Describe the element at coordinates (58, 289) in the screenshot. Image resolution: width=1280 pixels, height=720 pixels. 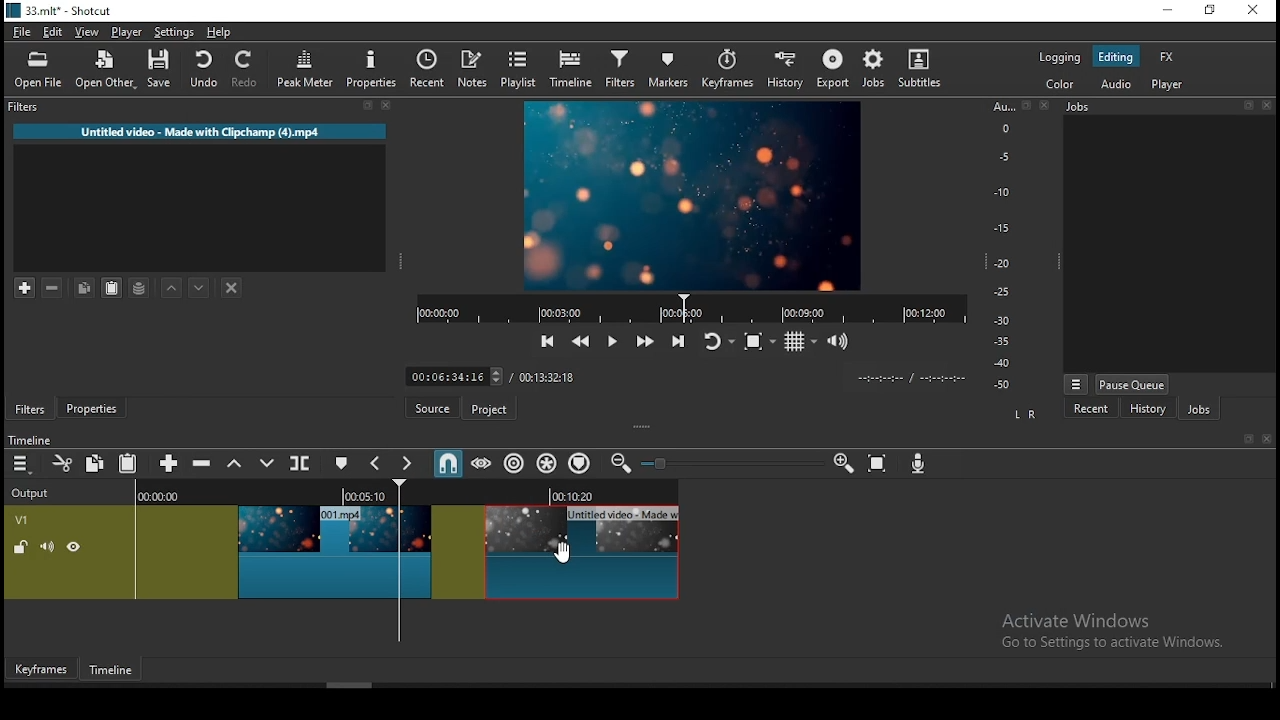
I see `remove selected filters` at that location.